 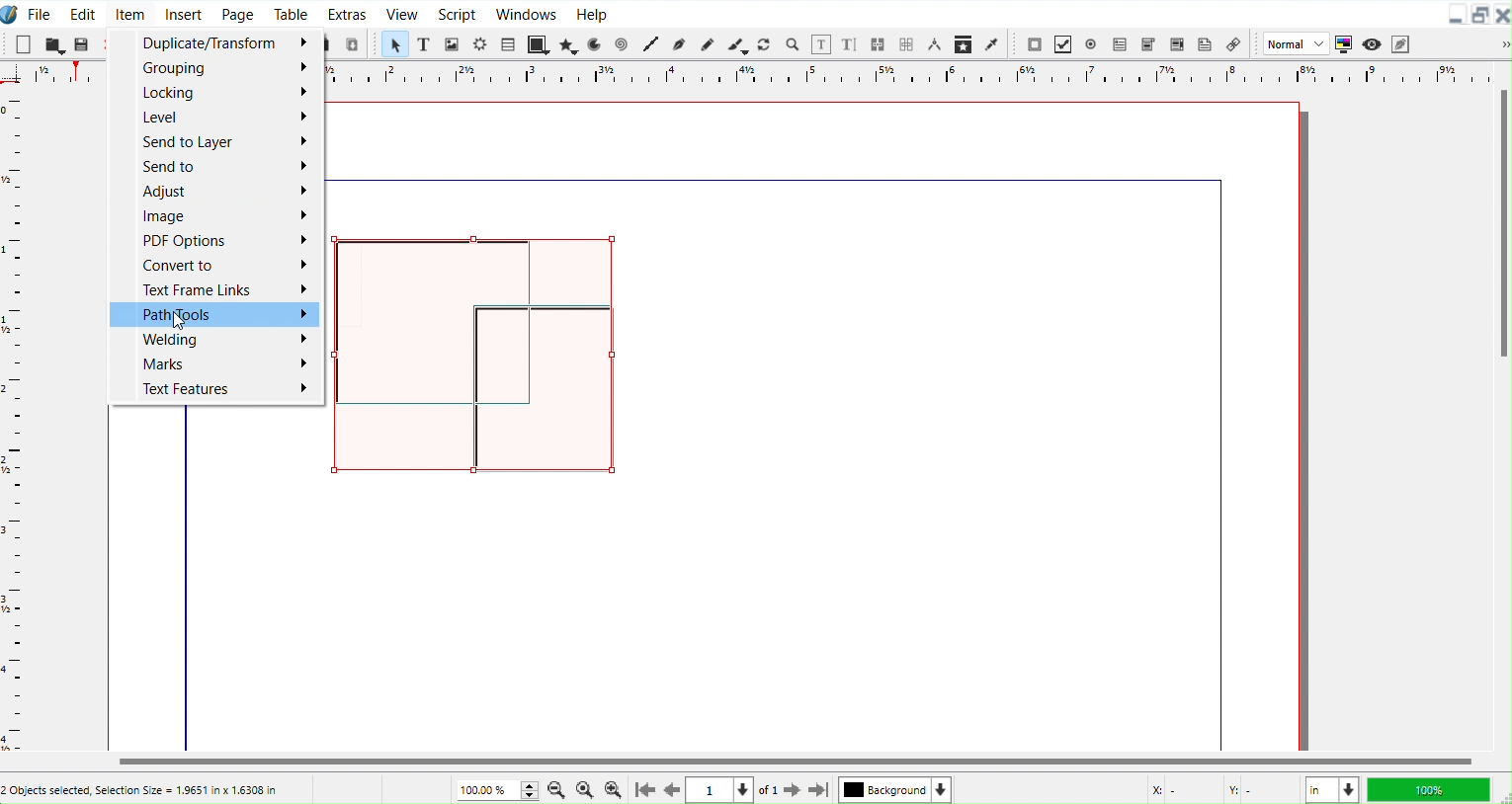 I want to click on Edit text with story editor, so click(x=851, y=44).